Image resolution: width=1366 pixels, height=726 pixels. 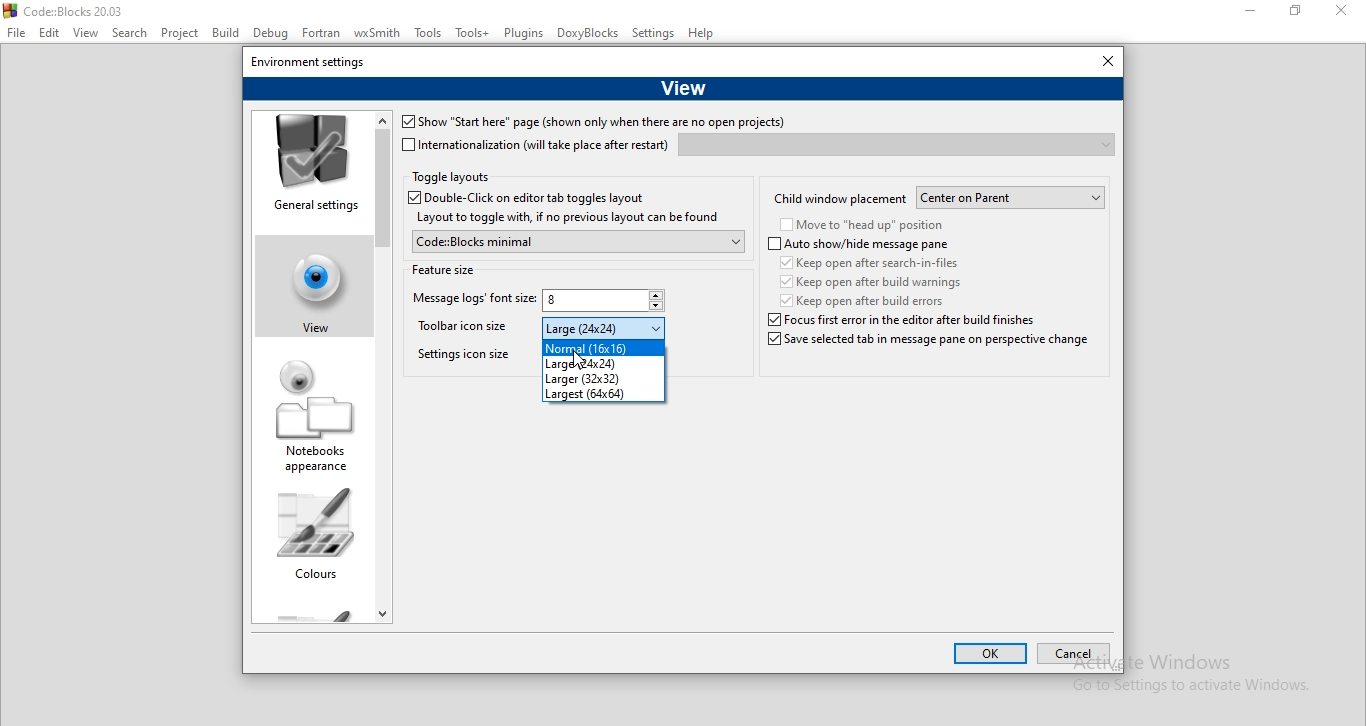 What do you see at coordinates (451, 178) in the screenshot?
I see `Toggle layouts` at bounding box center [451, 178].